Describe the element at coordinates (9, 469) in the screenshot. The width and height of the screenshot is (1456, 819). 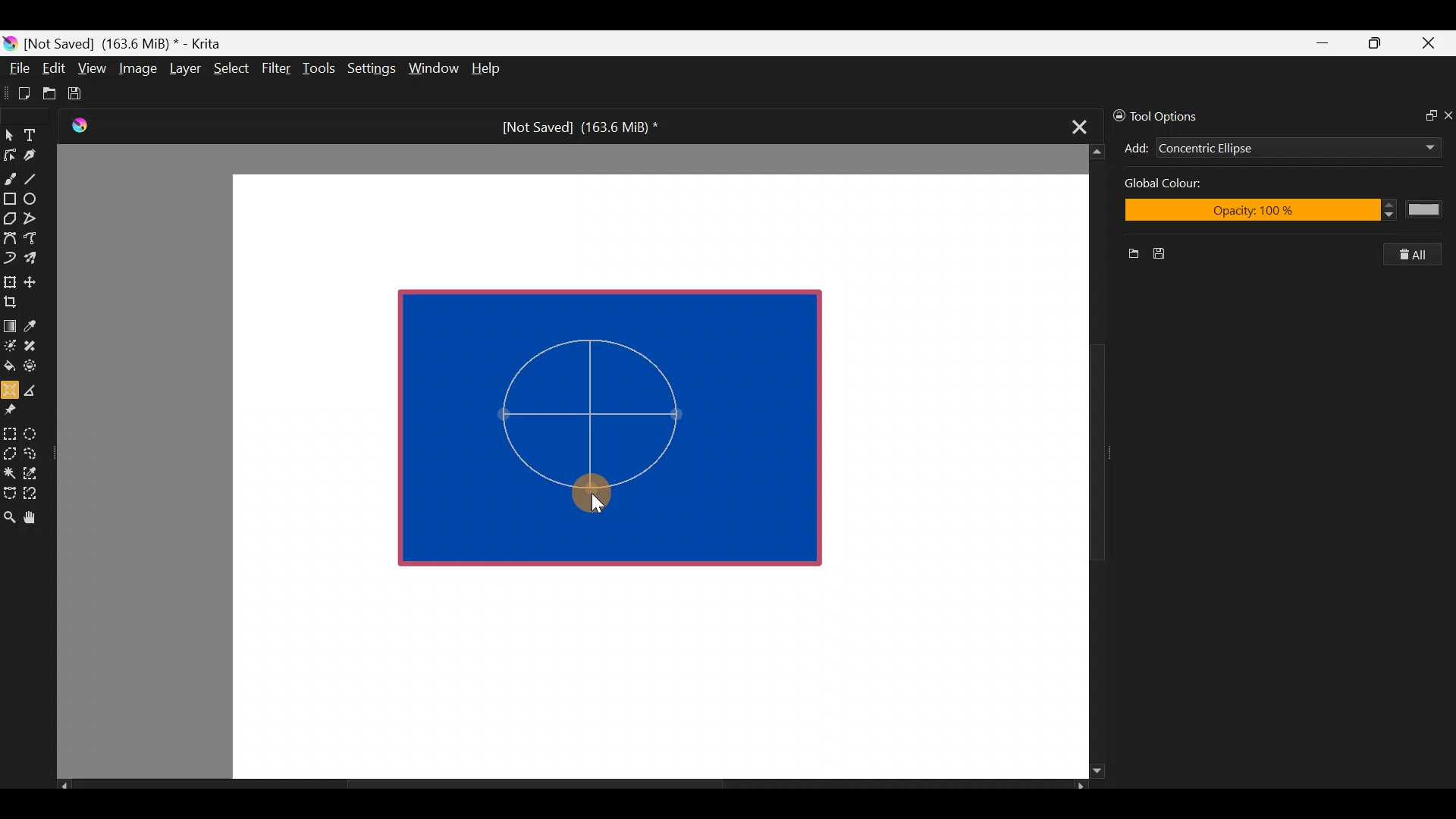
I see `Contiguous selection tool` at that location.